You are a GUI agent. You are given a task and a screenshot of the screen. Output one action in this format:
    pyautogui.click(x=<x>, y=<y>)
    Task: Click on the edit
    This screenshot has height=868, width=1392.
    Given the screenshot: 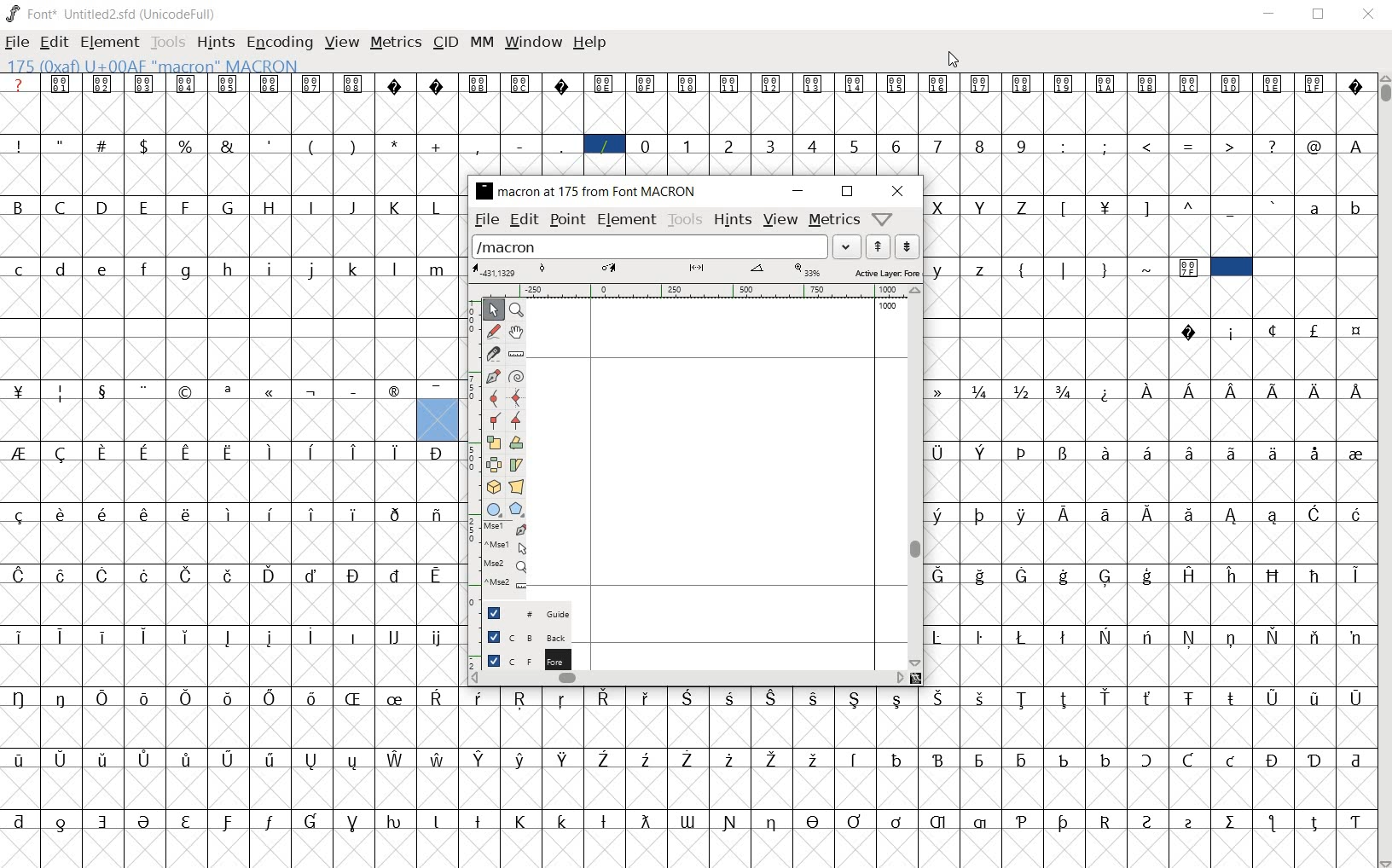 What is the action you would take?
    pyautogui.click(x=54, y=42)
    